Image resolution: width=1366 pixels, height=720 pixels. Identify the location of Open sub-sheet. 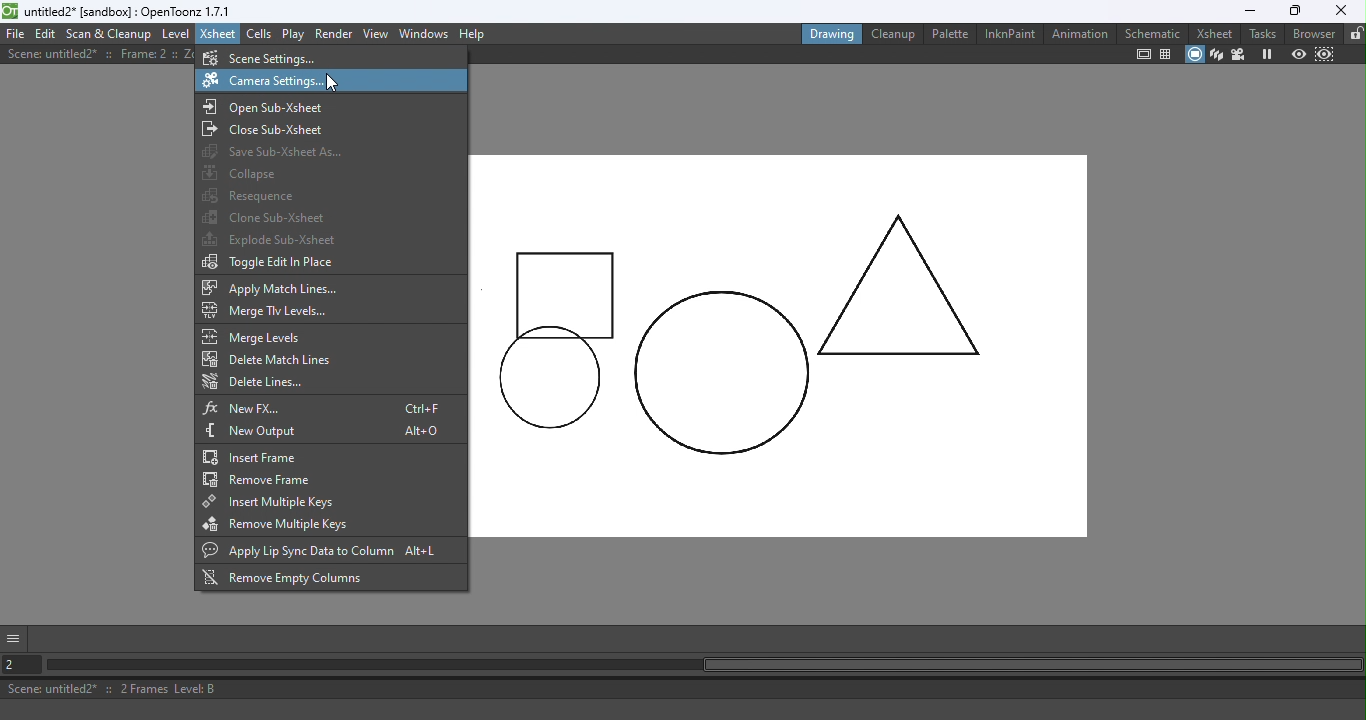
(268, 108).